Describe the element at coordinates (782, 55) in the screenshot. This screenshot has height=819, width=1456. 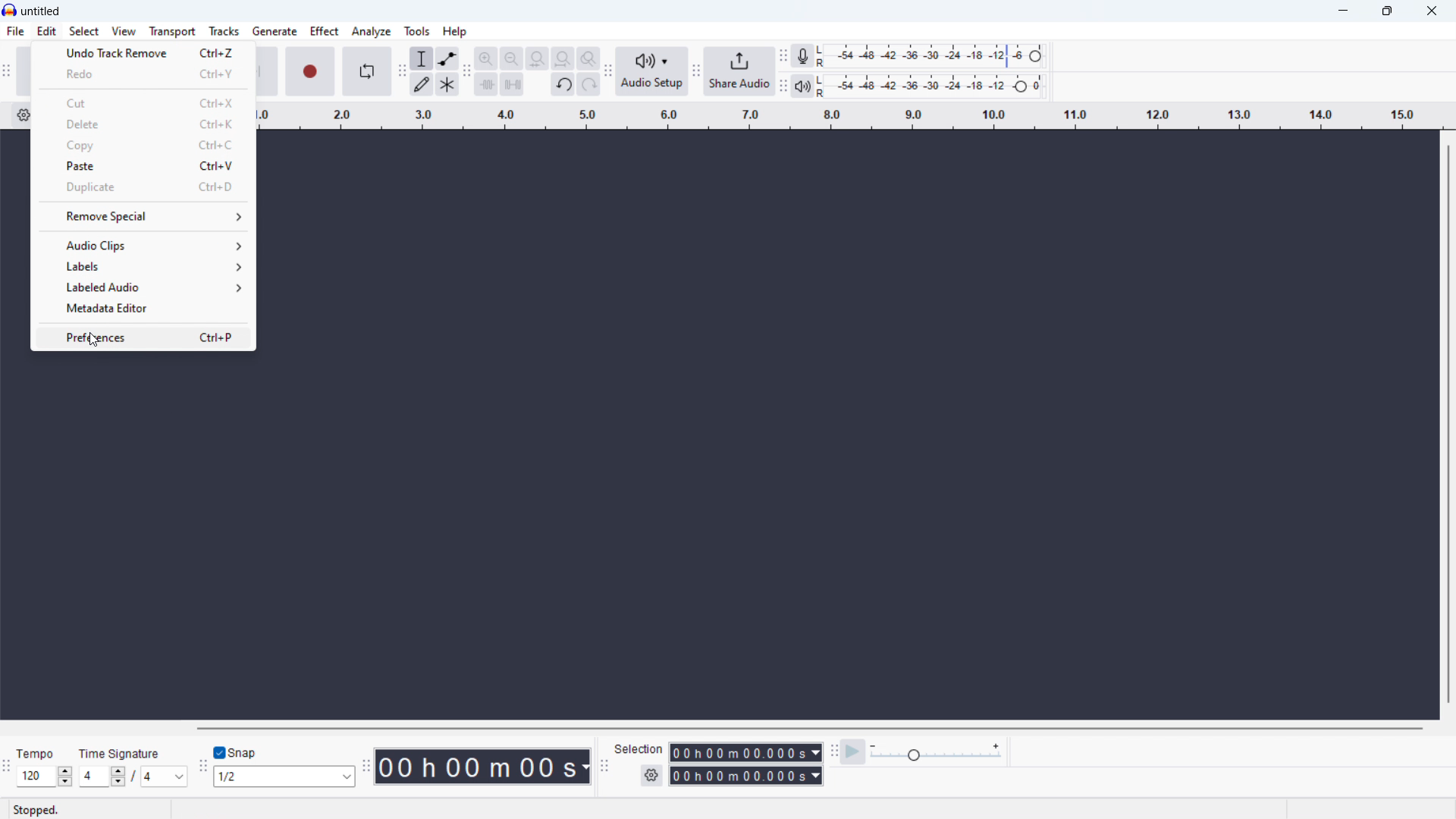
I see `recording meter toolbar` at that location.